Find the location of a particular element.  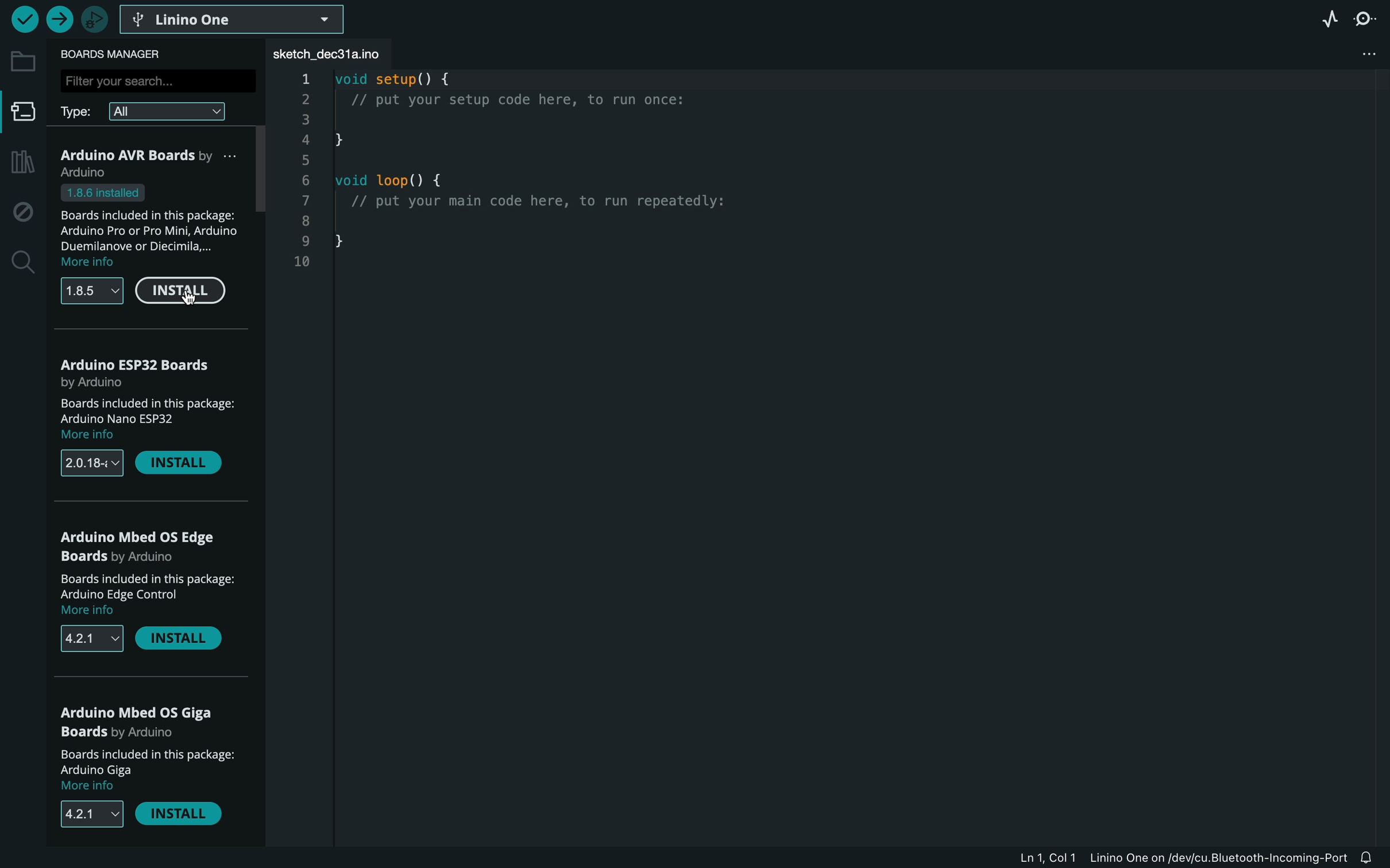

clicked is located at coordinates (179, 293).